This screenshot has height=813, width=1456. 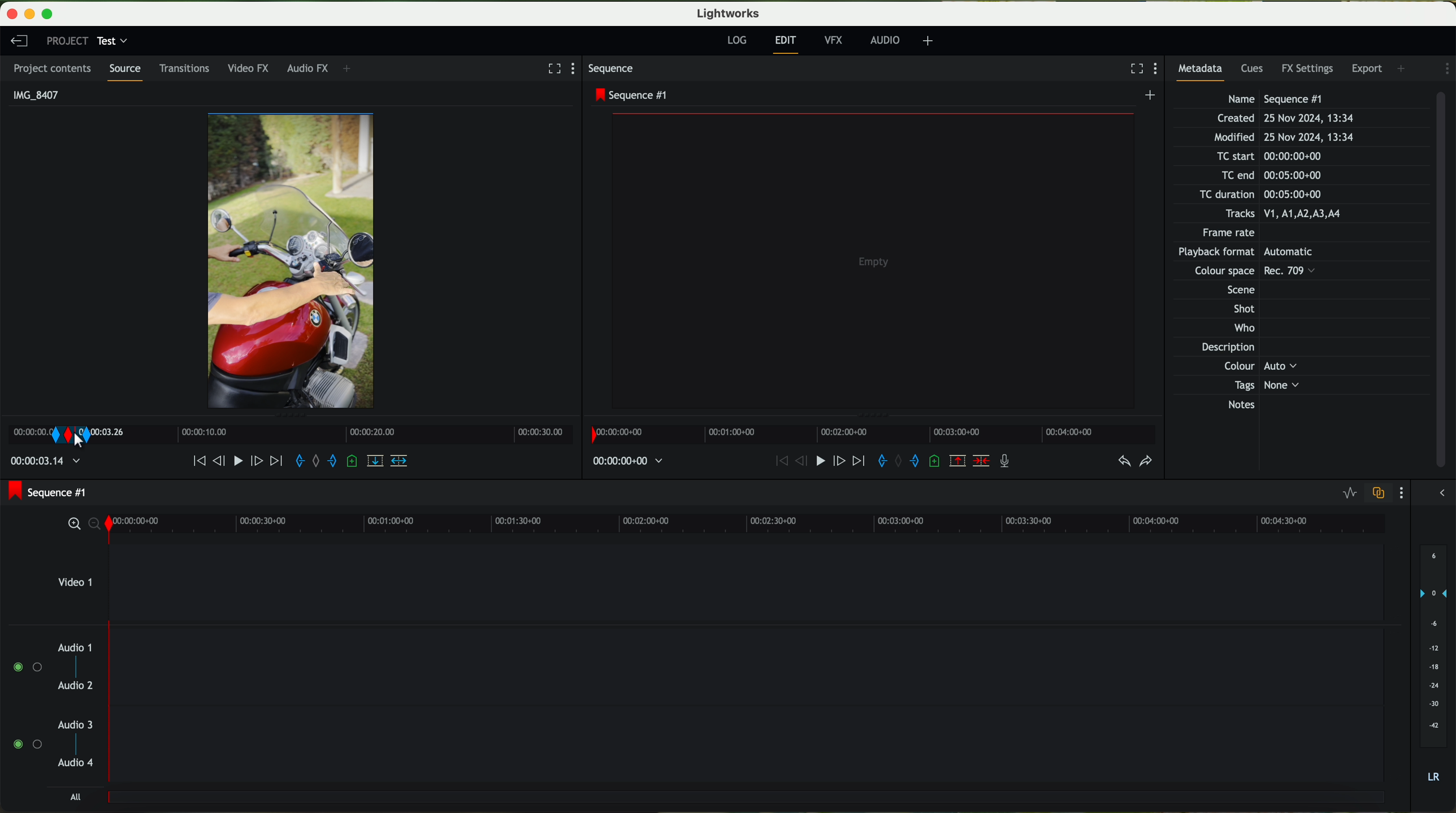 I want to click on Lightworks, so click(x=727, y=14).